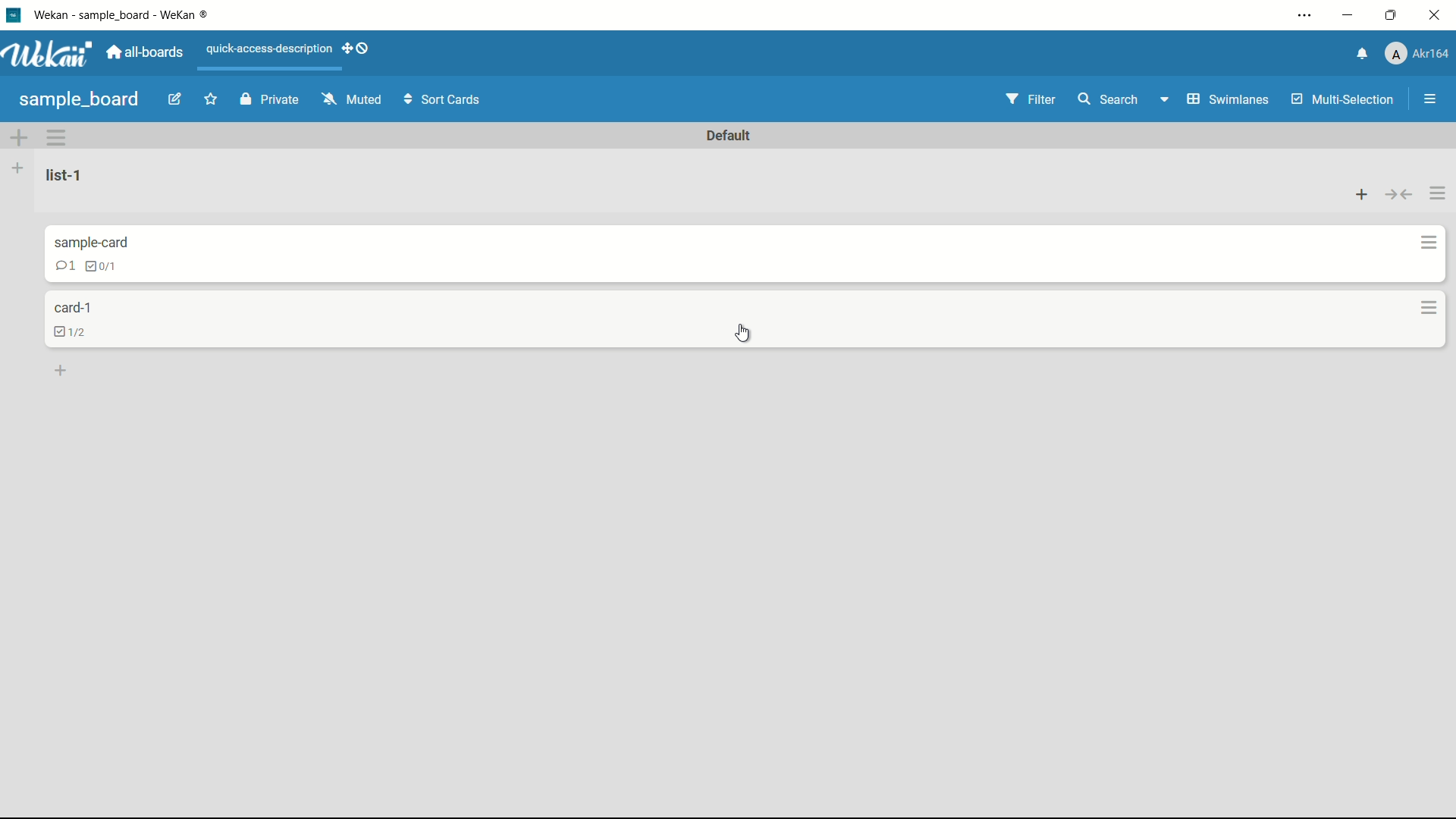 This screenshot has width=1456, height=819. What do you see at coordinates (749, 331) in the screenshot?
I see `cursor` at bounding box center [749, 331].